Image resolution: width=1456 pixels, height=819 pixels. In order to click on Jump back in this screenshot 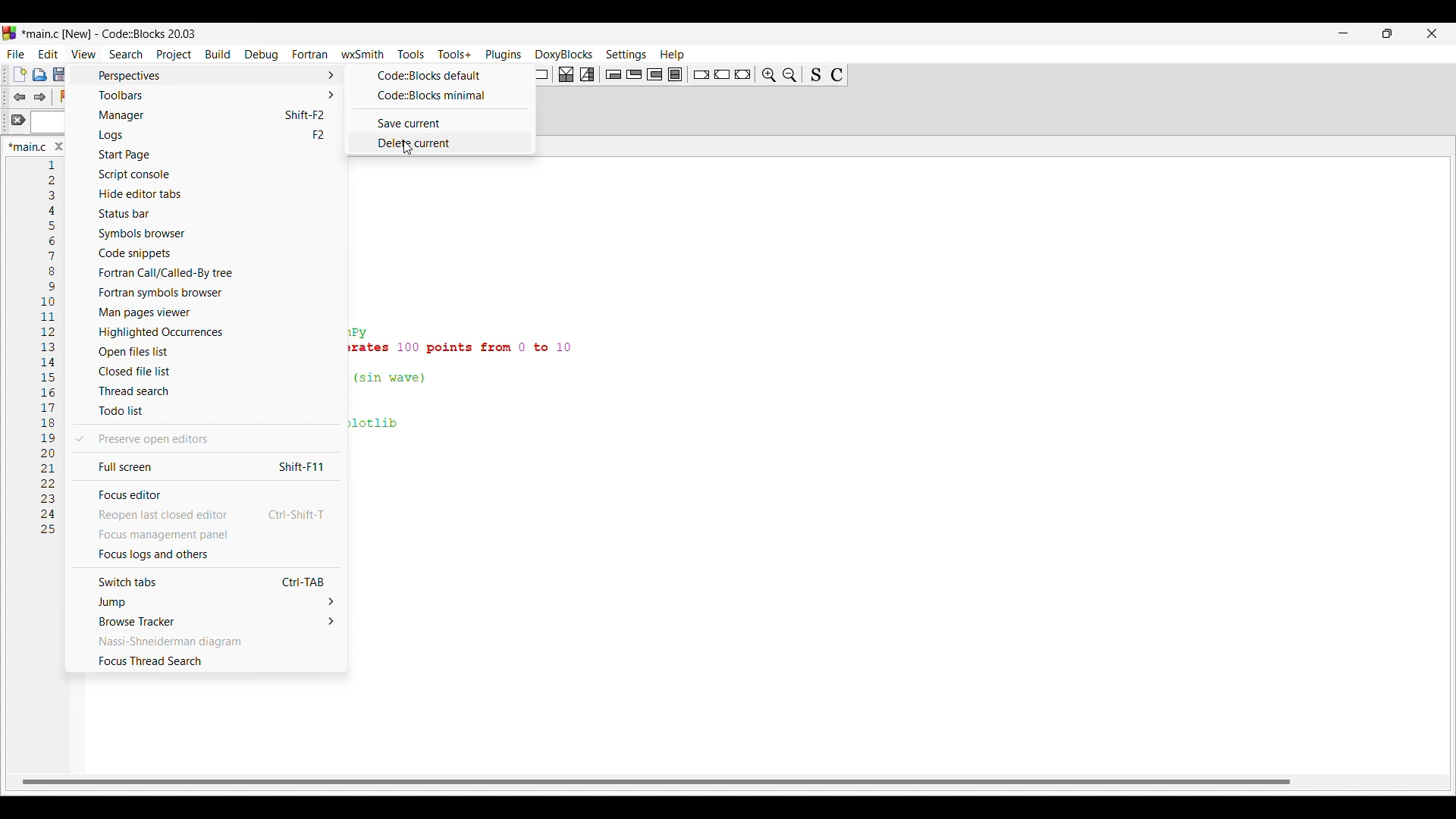, I will do `click(18, 97)`.